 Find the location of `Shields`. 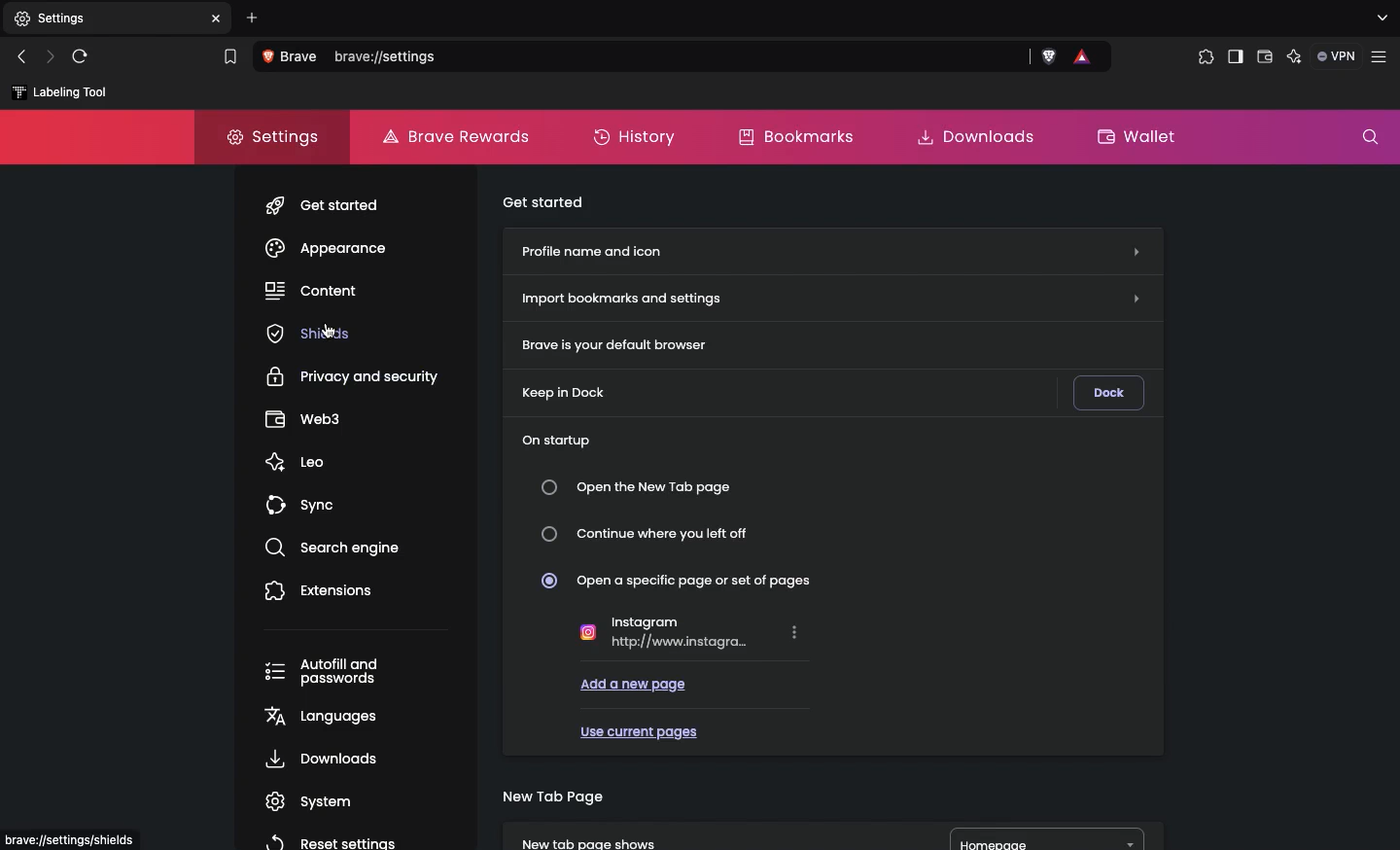

Shields is located at coordinates (314, 336).